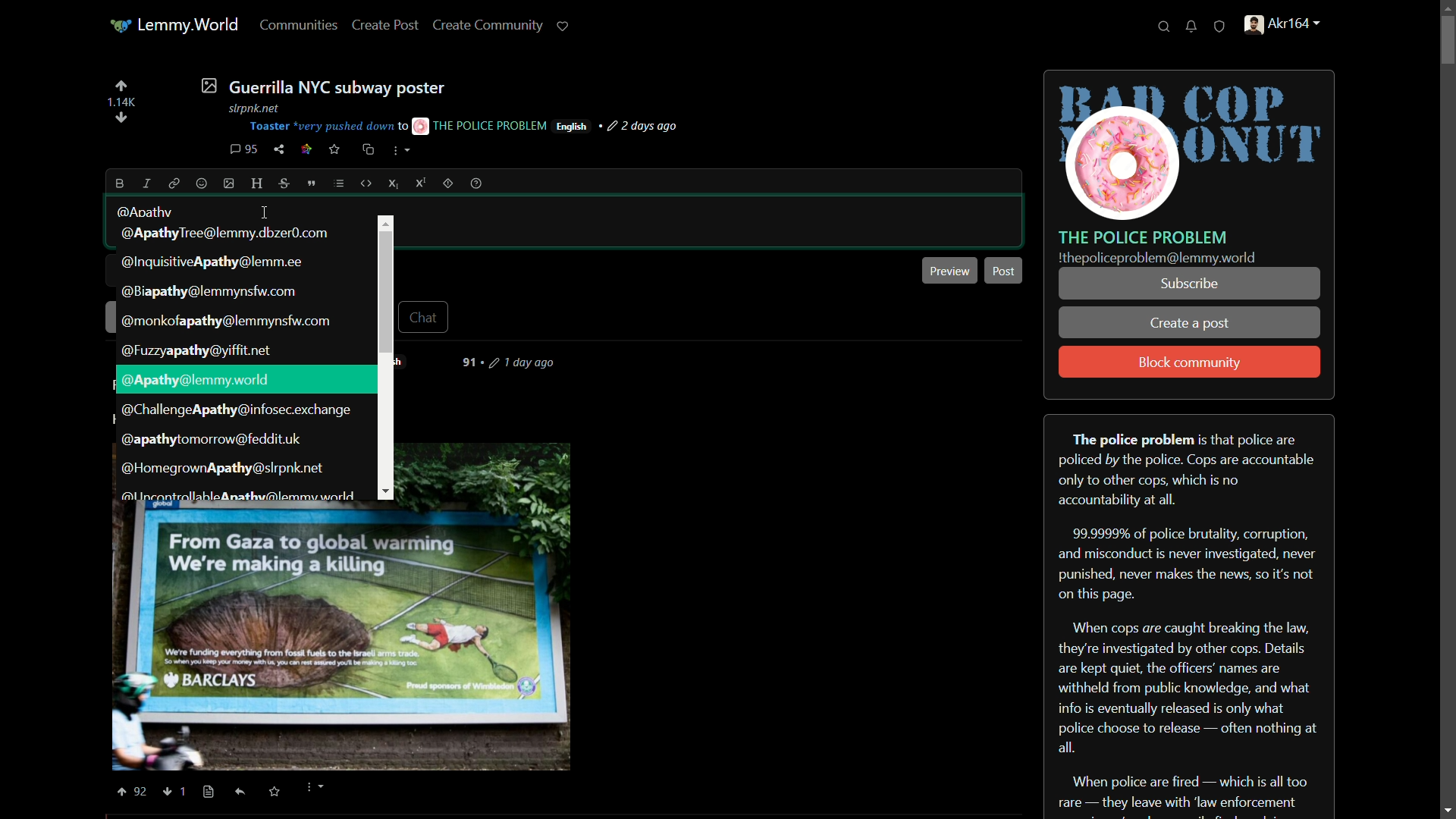  I want to click on subscribe, so click(1188, 284).